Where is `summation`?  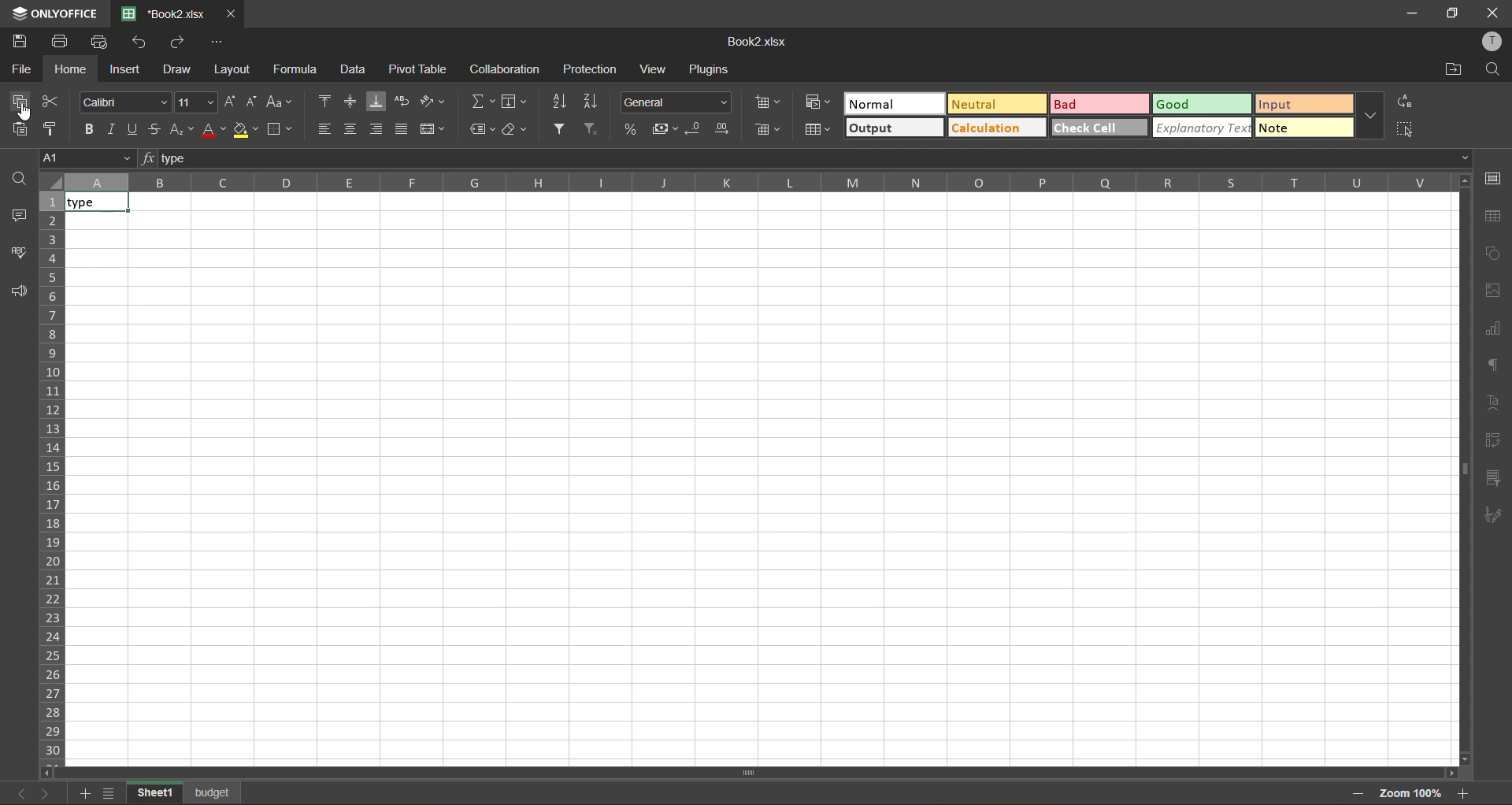
summation is located at coordinates (481, 98).